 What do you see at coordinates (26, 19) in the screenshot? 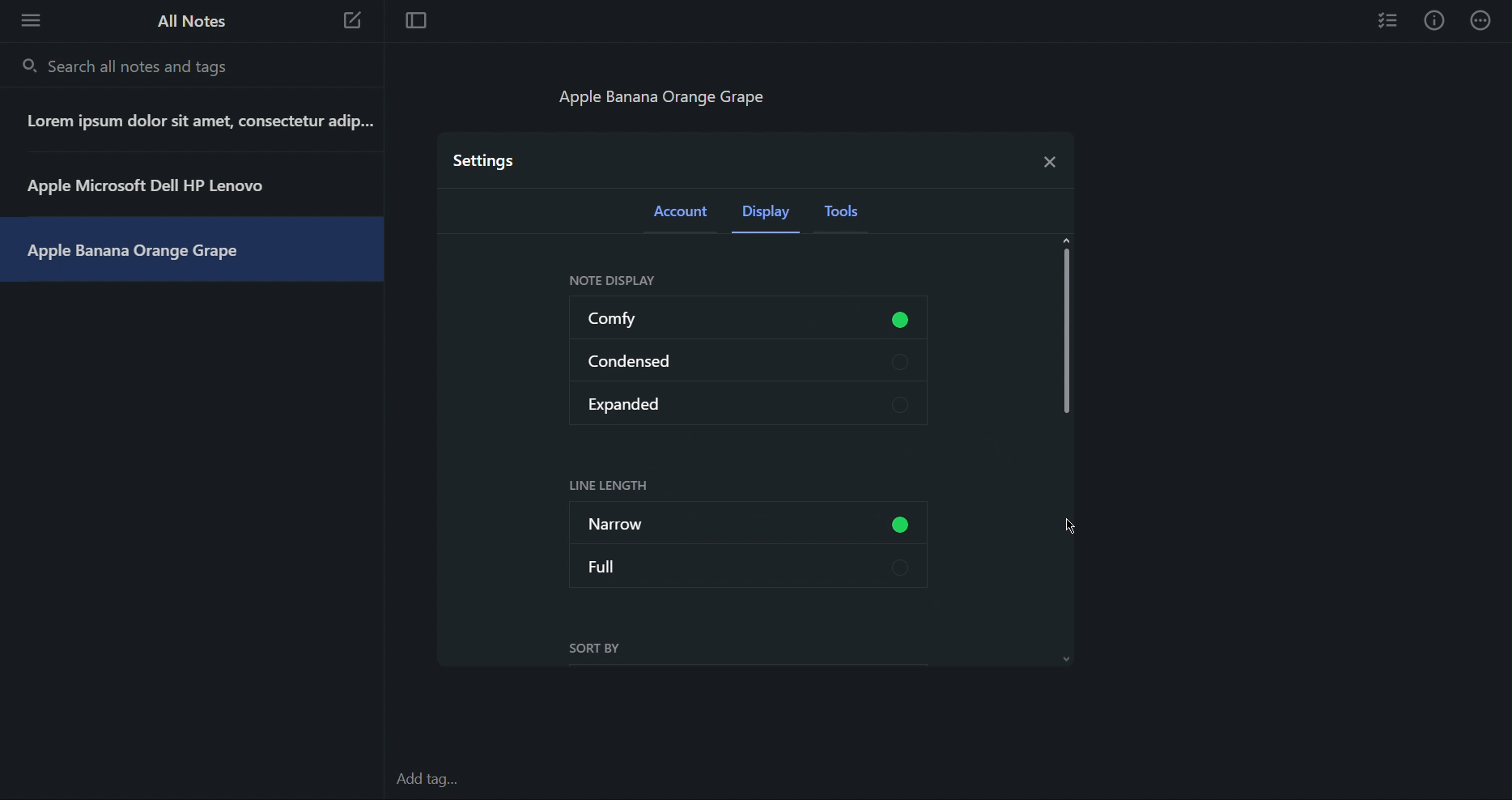
I see `More Options` at bounding box center [26, 19].